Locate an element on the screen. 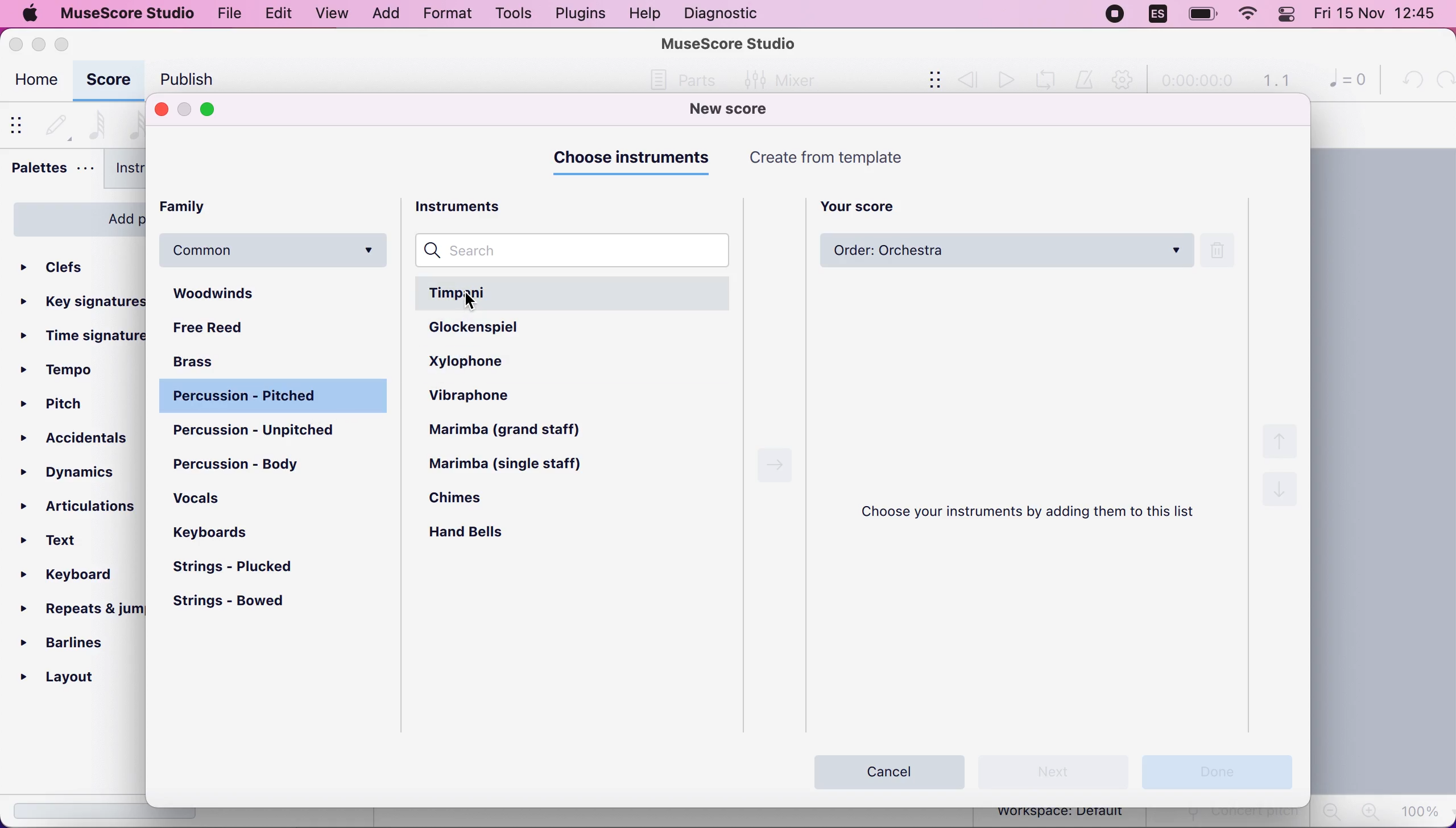 This screenshot has height=828, width=1456. choose instruments is located at coordinates (635, 159).